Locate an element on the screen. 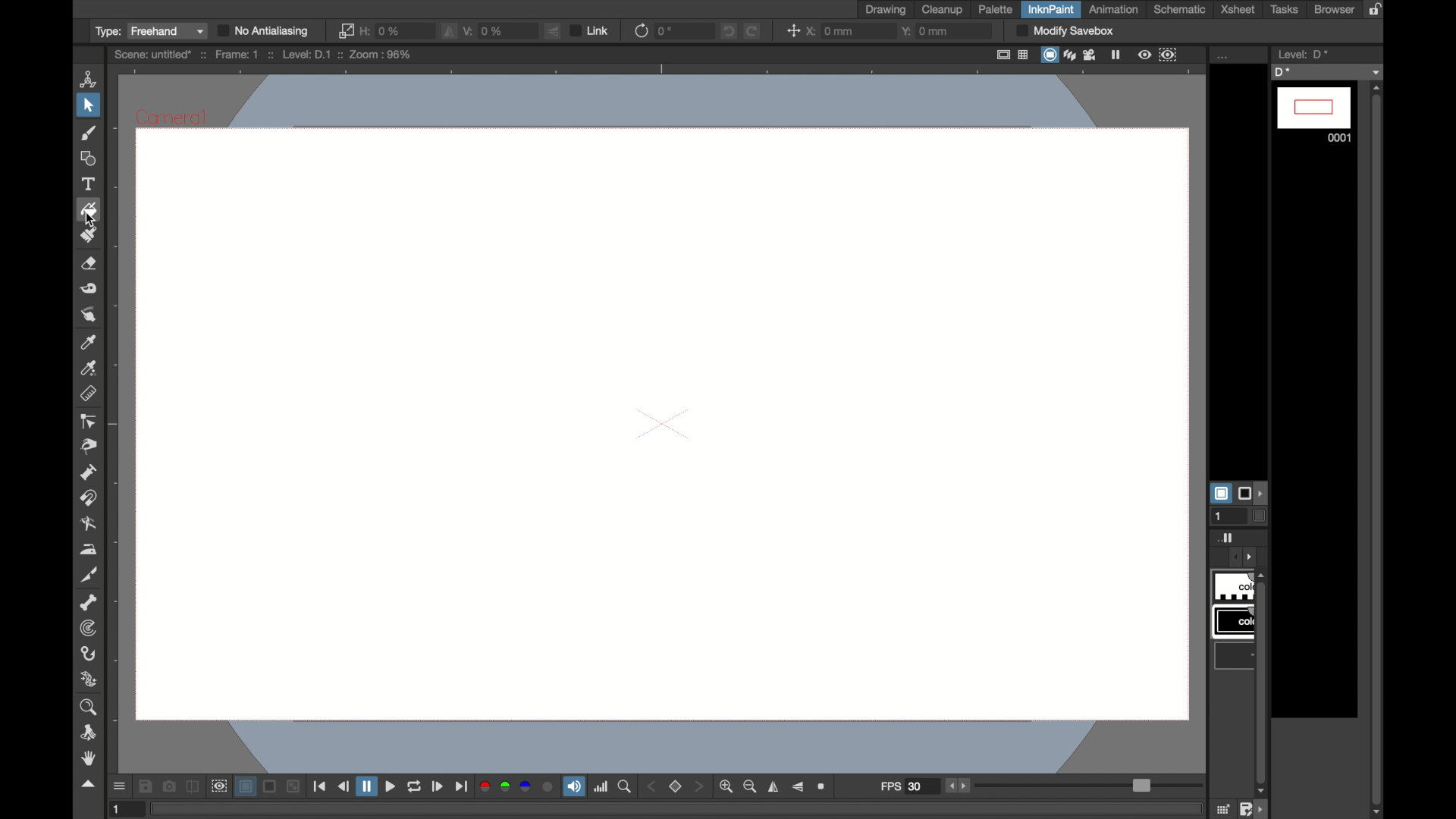  histogram is located at coordinates (601, 787).